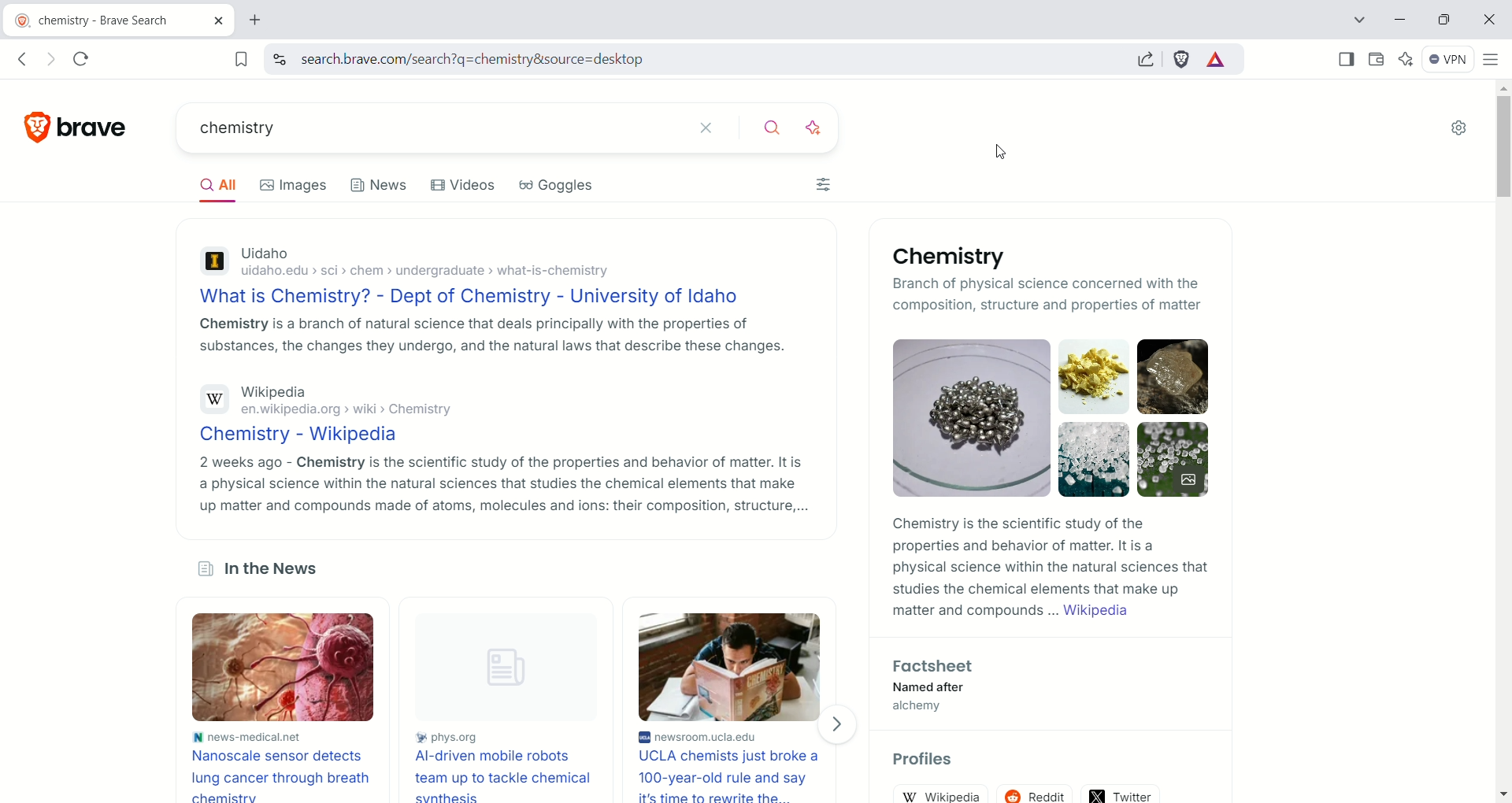 This screenshot has height=803, width=1512. I want to click on share this page, so click(1142, 57).